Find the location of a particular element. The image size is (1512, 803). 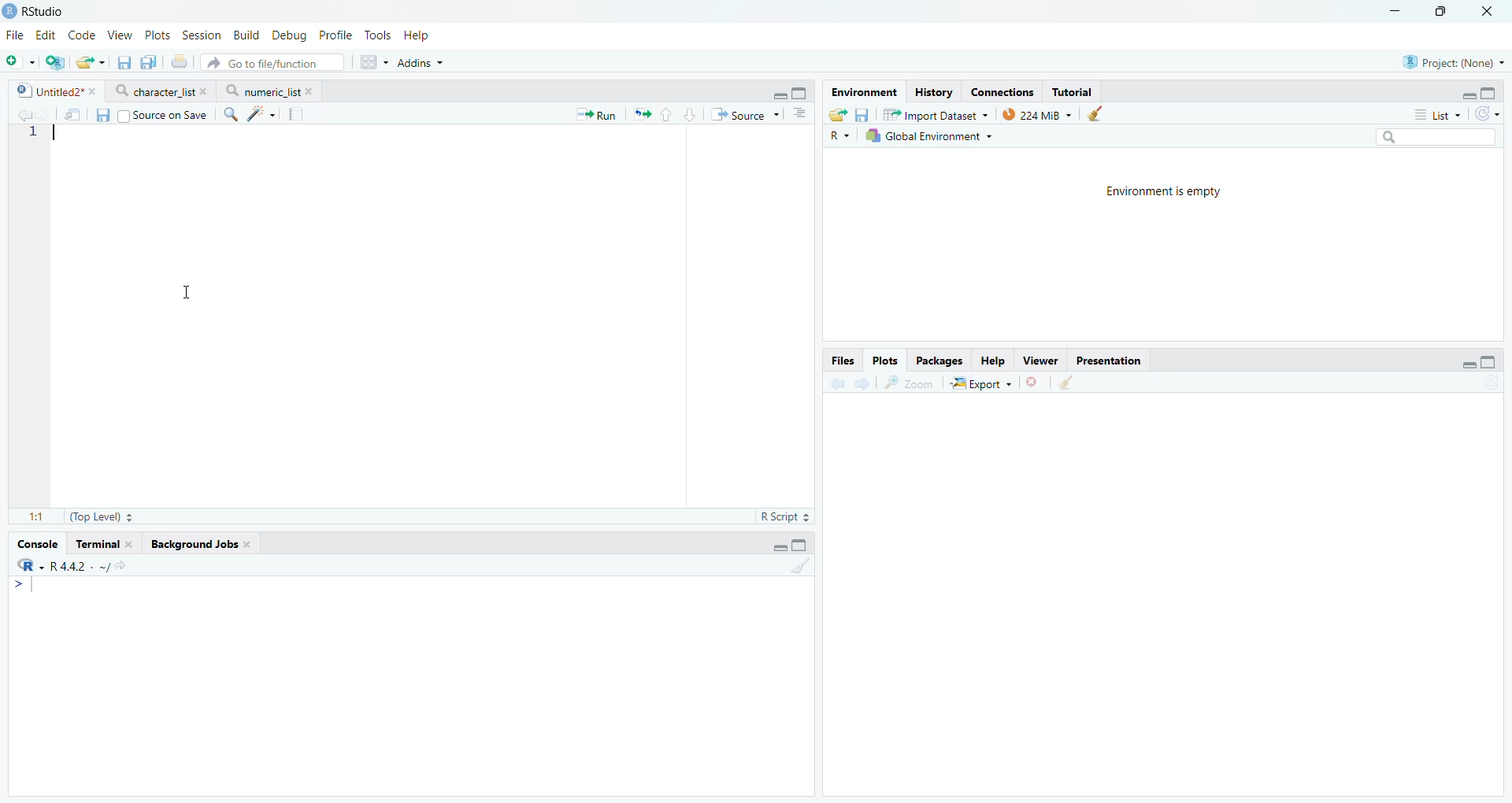

1:1 is located at coordinates (35, 516).